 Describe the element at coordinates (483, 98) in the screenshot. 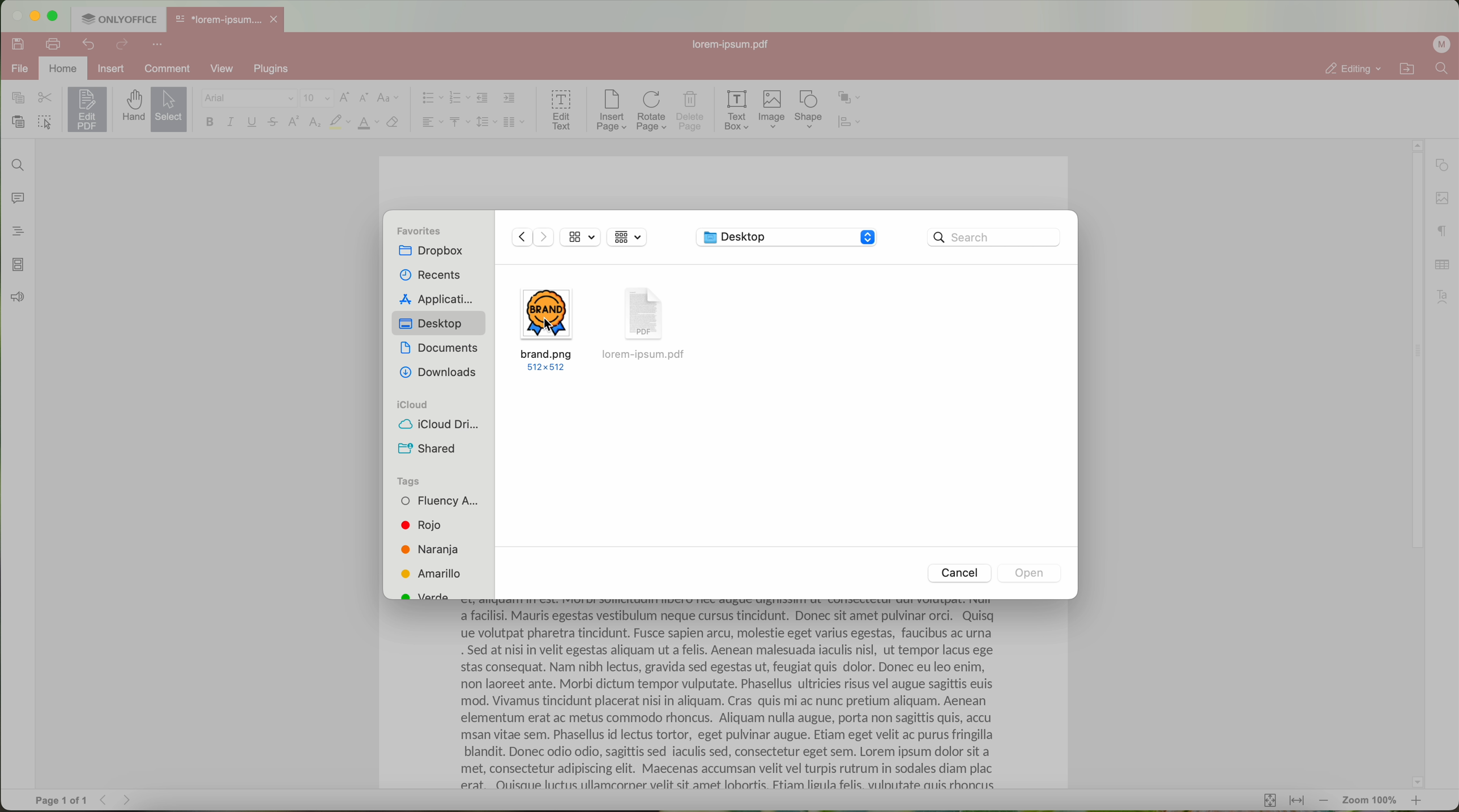

I see `decrease indent` at that location.